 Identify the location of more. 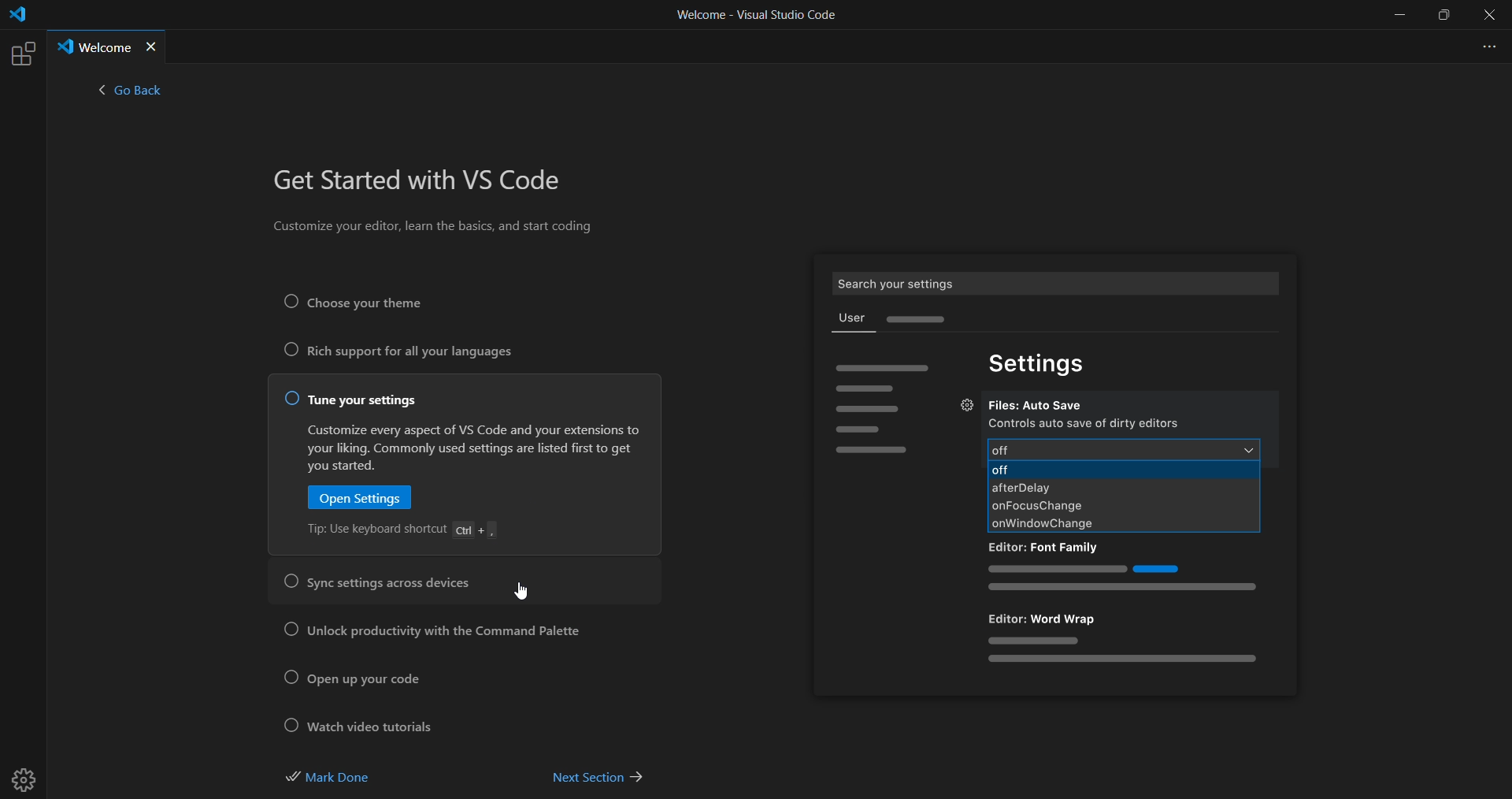
(1485, 45).